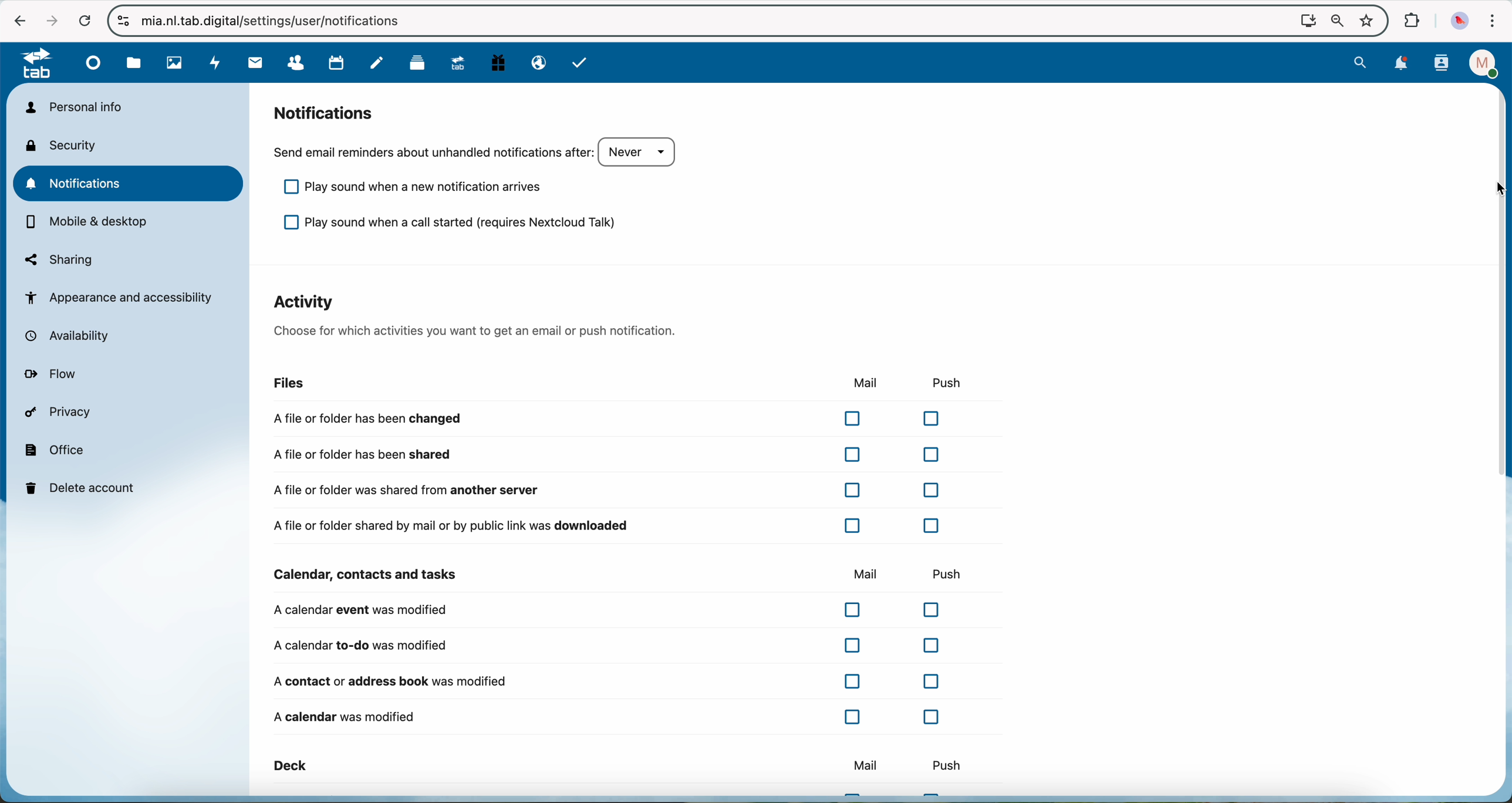 This screenshot has height=803, width=1512. I want to click on favorites, so click(1365, 18).